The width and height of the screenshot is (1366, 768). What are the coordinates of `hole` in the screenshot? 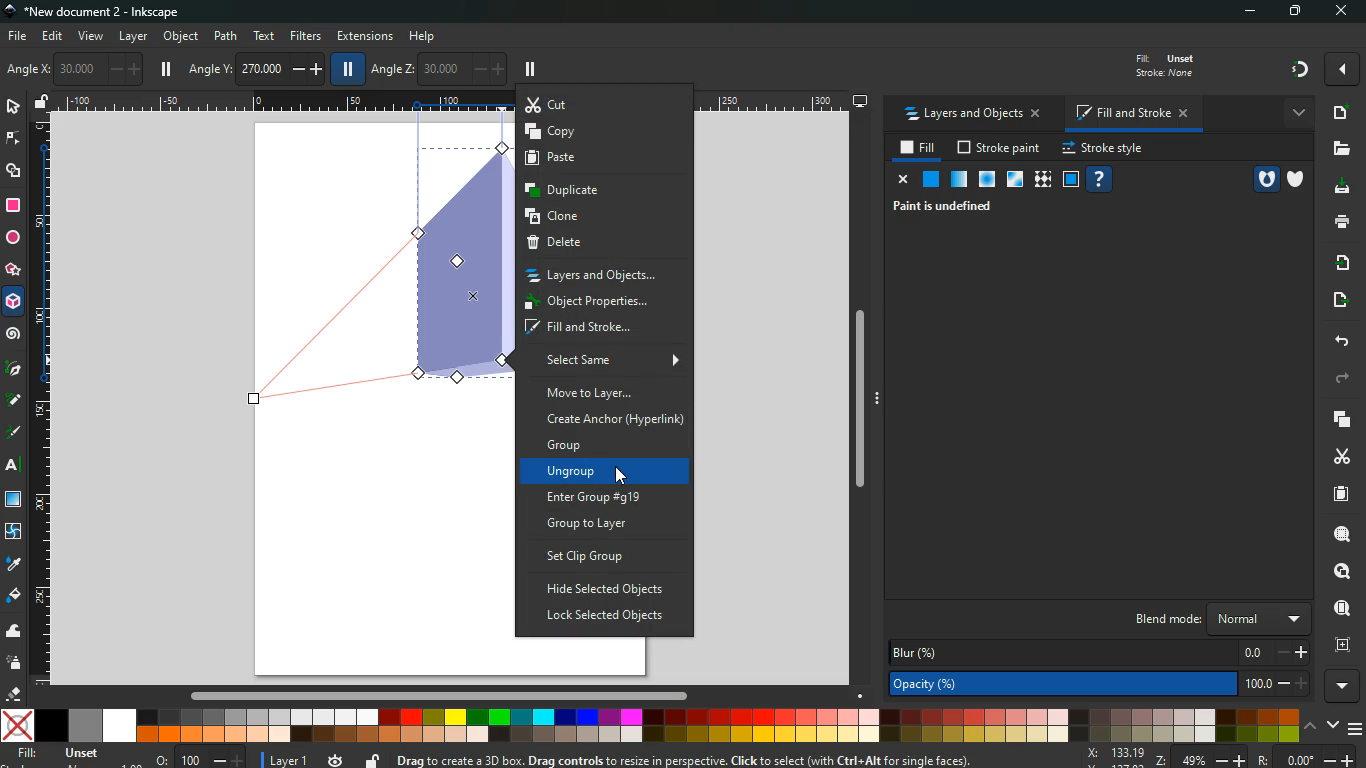 It's located at (1265, 179).